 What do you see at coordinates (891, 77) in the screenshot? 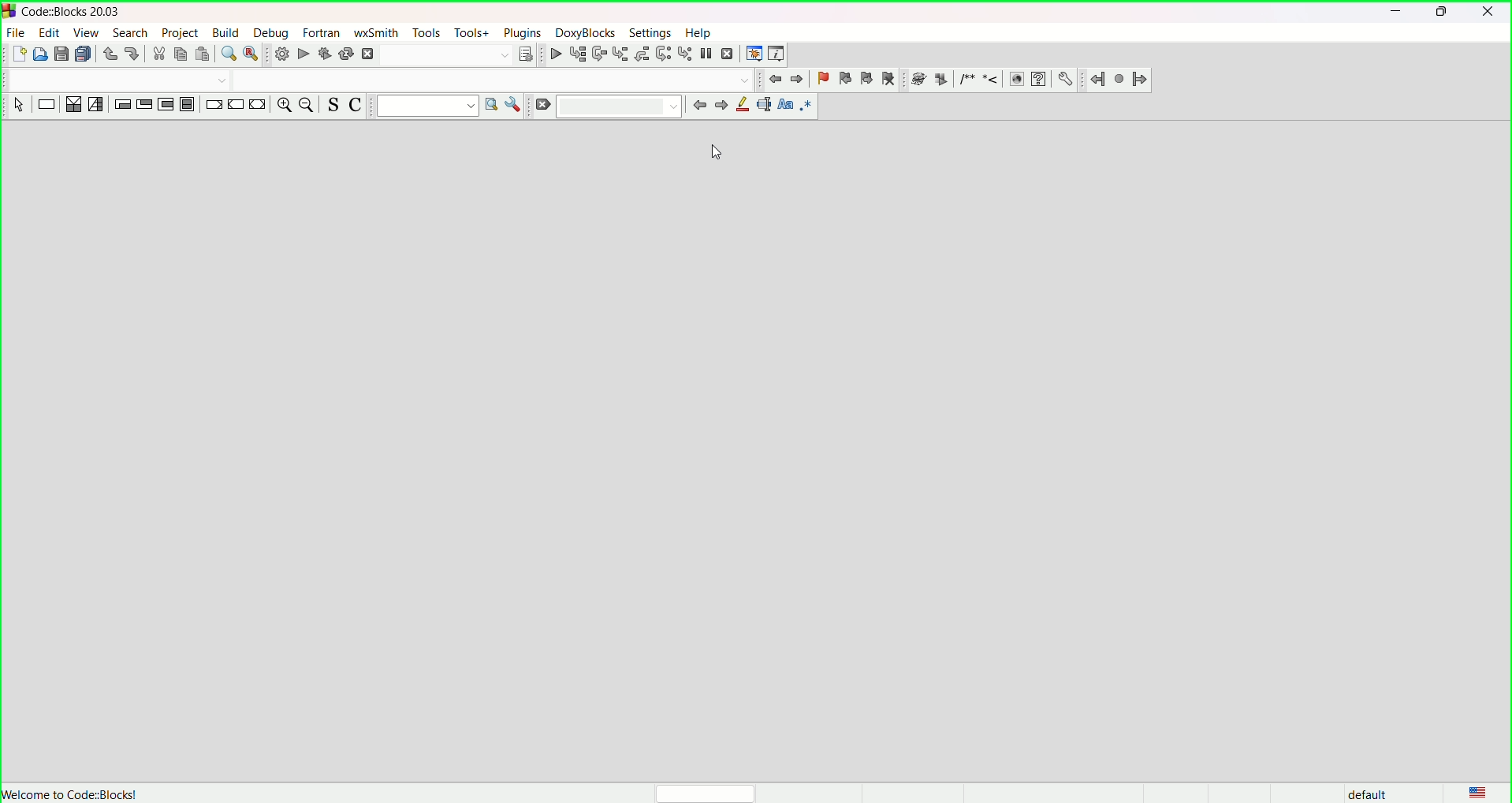
I see `clear bookmark` at bounding box center [891, 77].